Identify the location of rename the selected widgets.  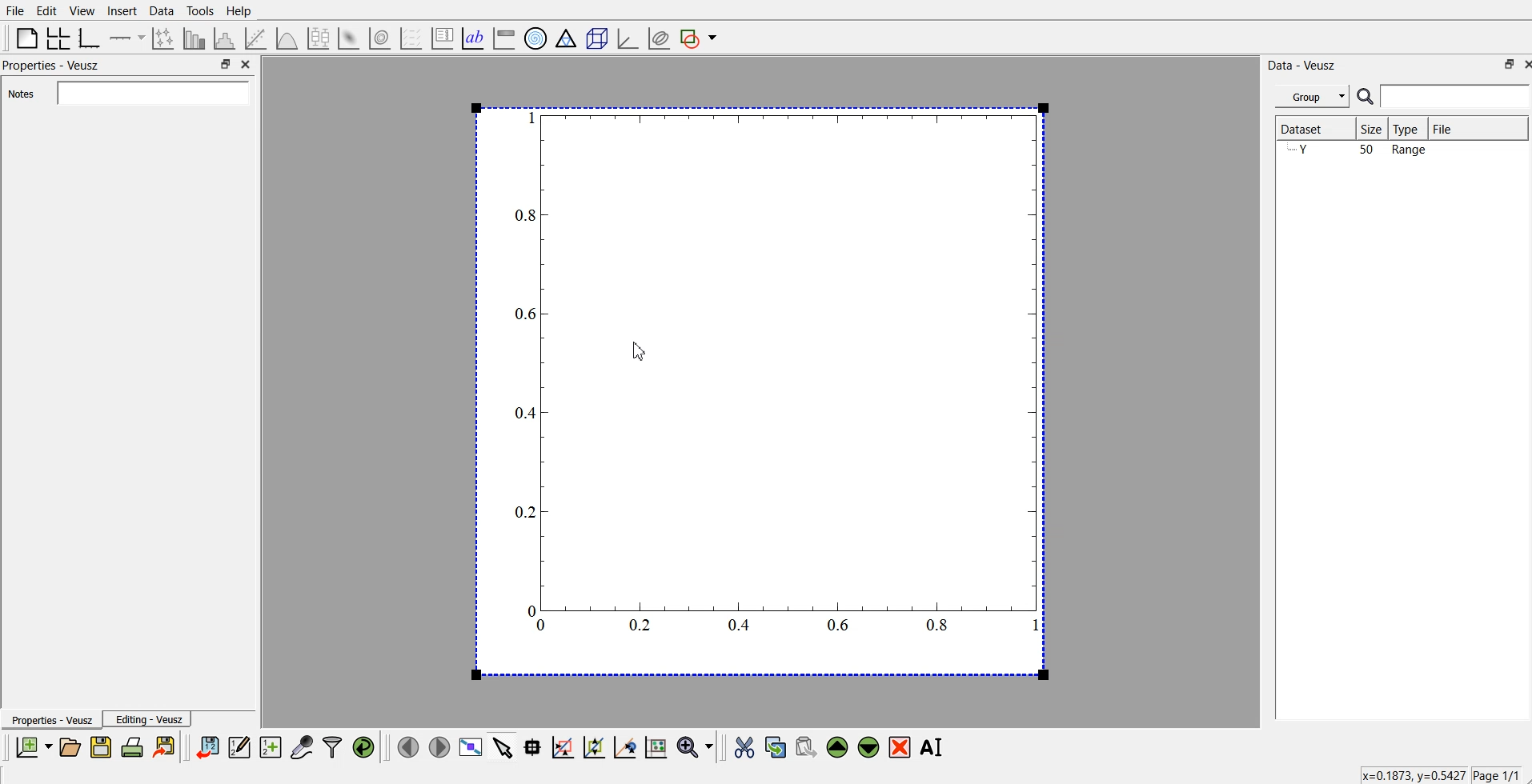
(932, 747).